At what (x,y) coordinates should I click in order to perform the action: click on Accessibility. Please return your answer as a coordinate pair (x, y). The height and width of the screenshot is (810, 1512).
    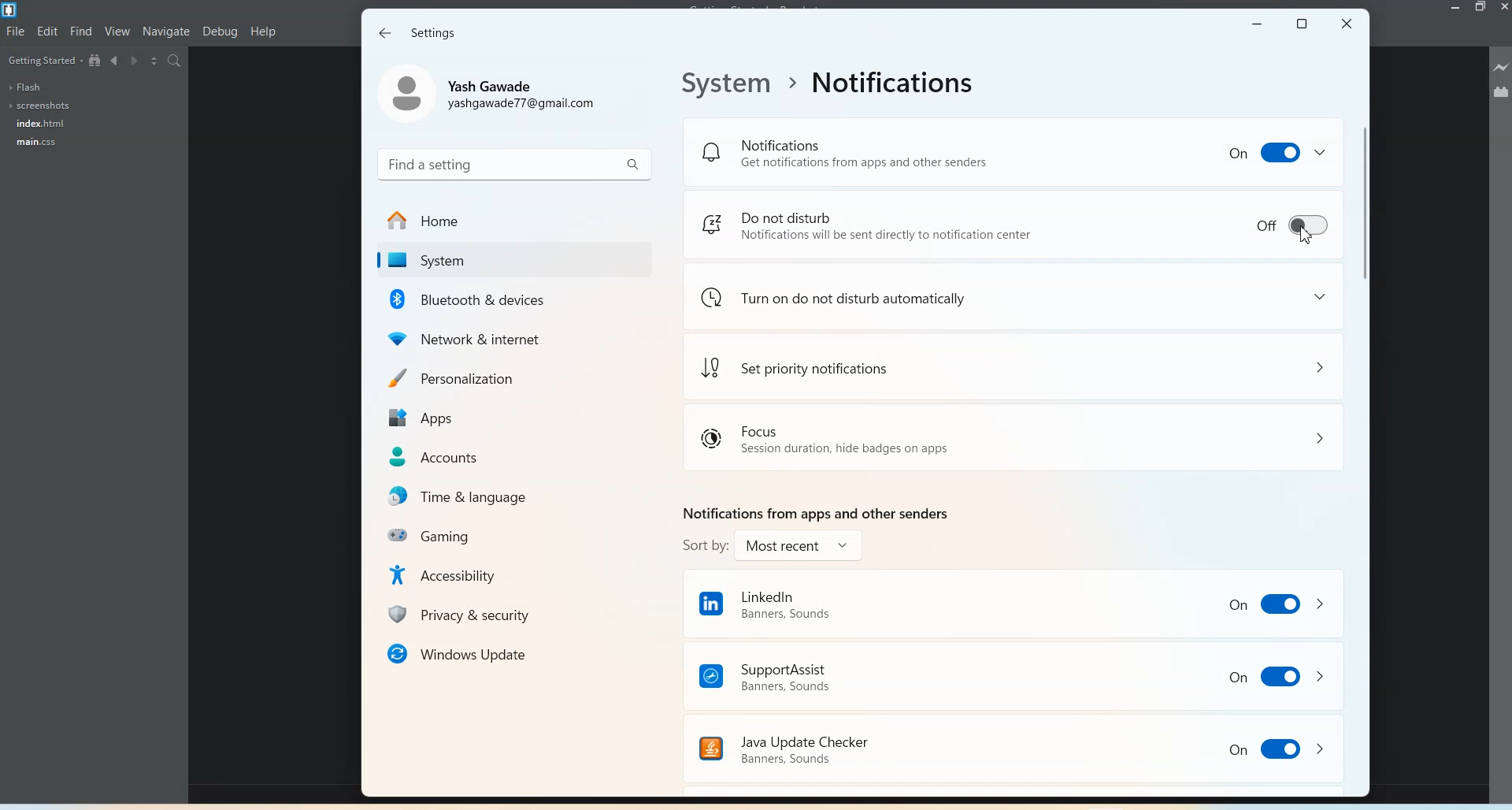
    Looking at the image, I should click on (508, 574).